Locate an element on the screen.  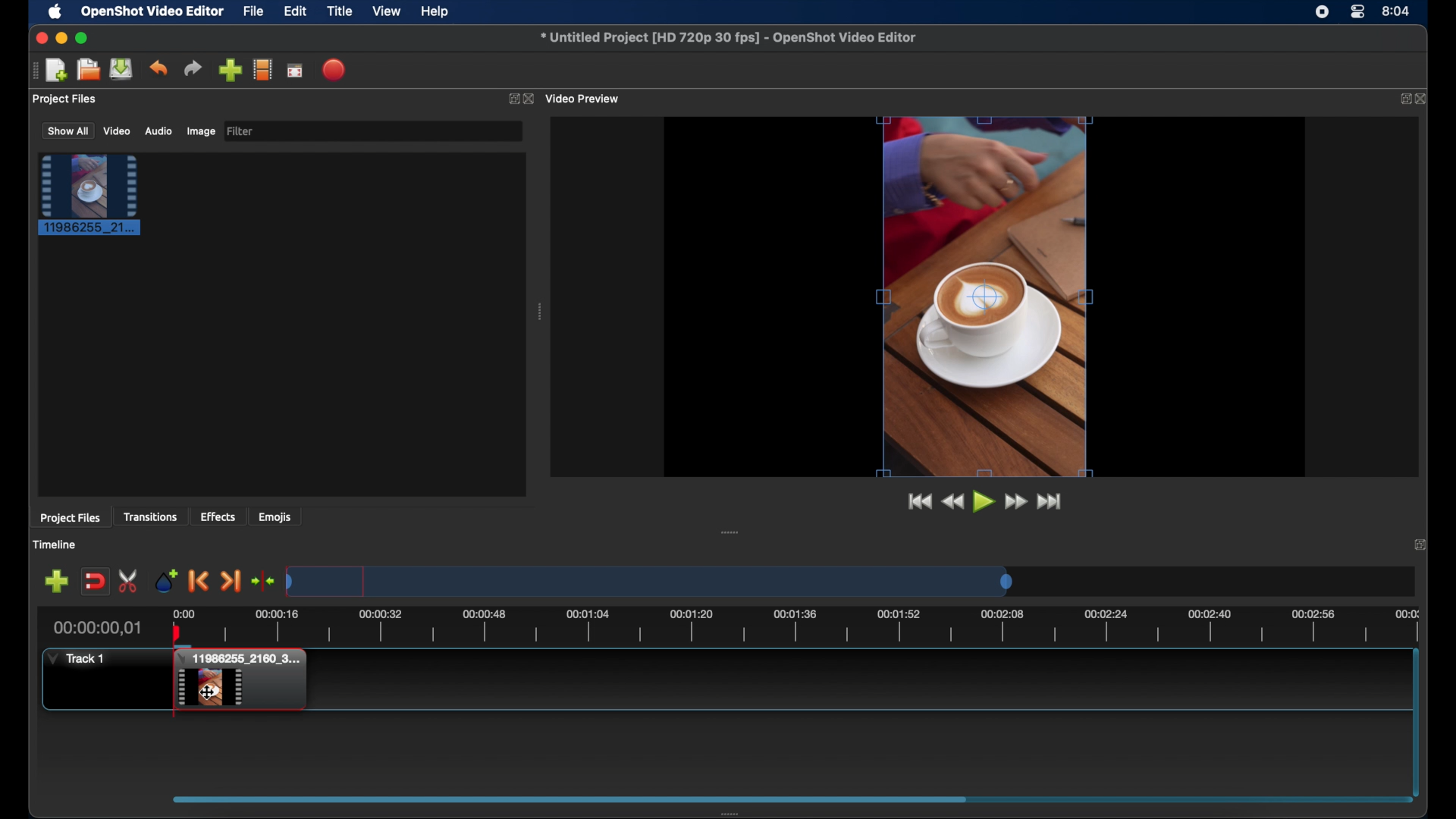
cursor is located at coordinates (209, 692).